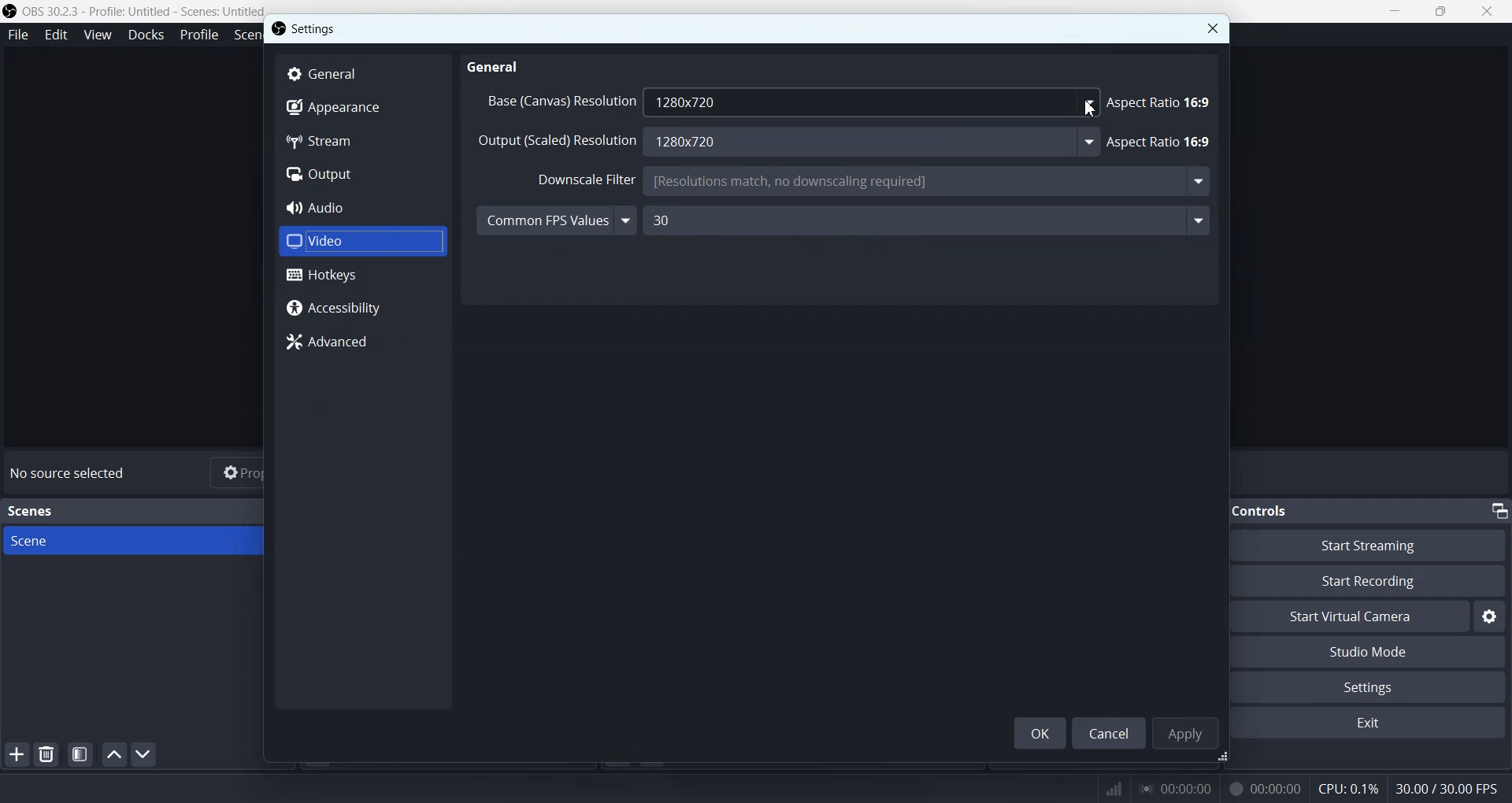  I want to click on View, so click(97, 34).